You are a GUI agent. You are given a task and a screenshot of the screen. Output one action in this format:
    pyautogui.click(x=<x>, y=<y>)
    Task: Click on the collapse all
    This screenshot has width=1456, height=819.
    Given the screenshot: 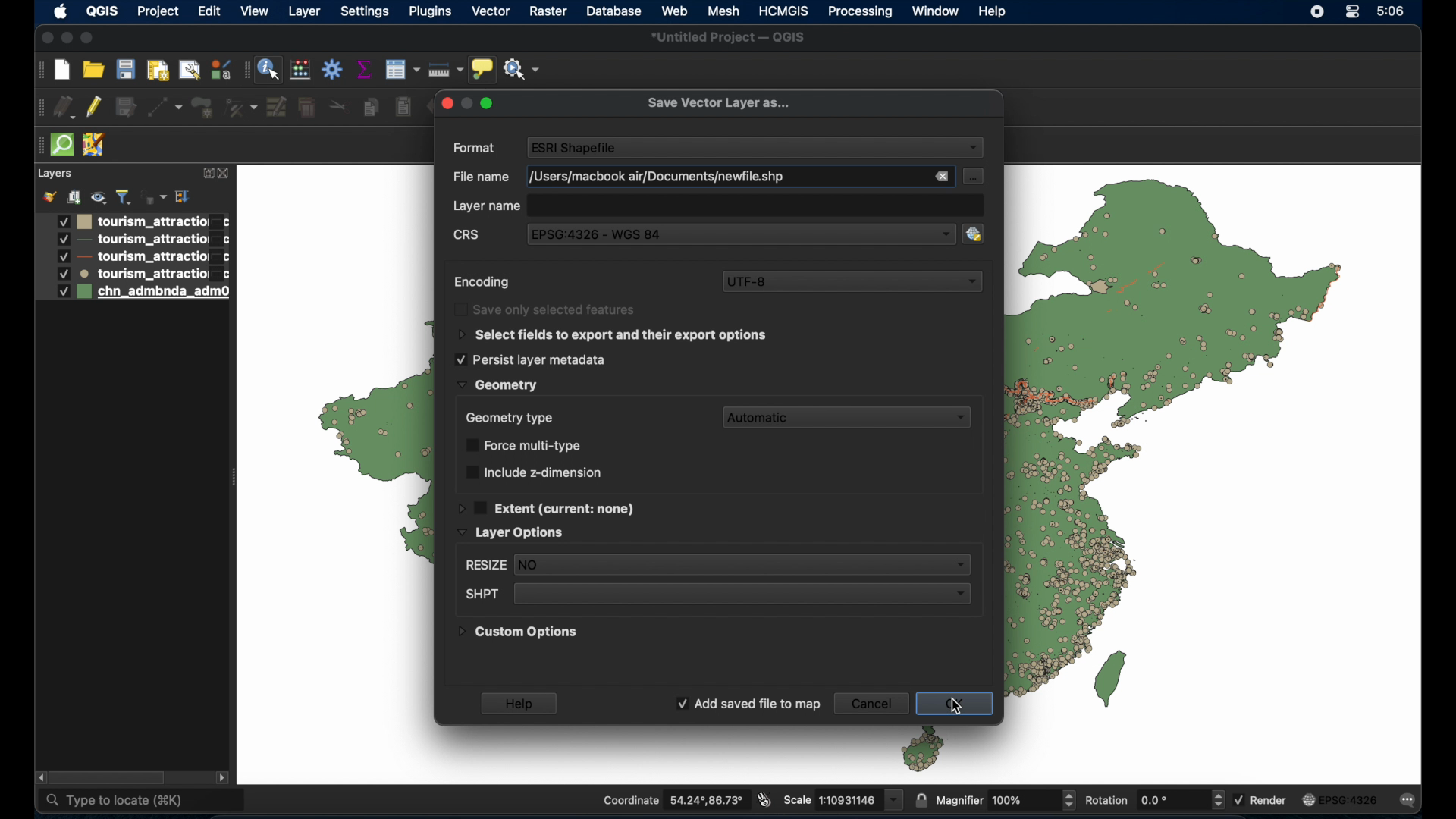 What is the action you would take?
    pyautogui.click(x=182, y=196)
    